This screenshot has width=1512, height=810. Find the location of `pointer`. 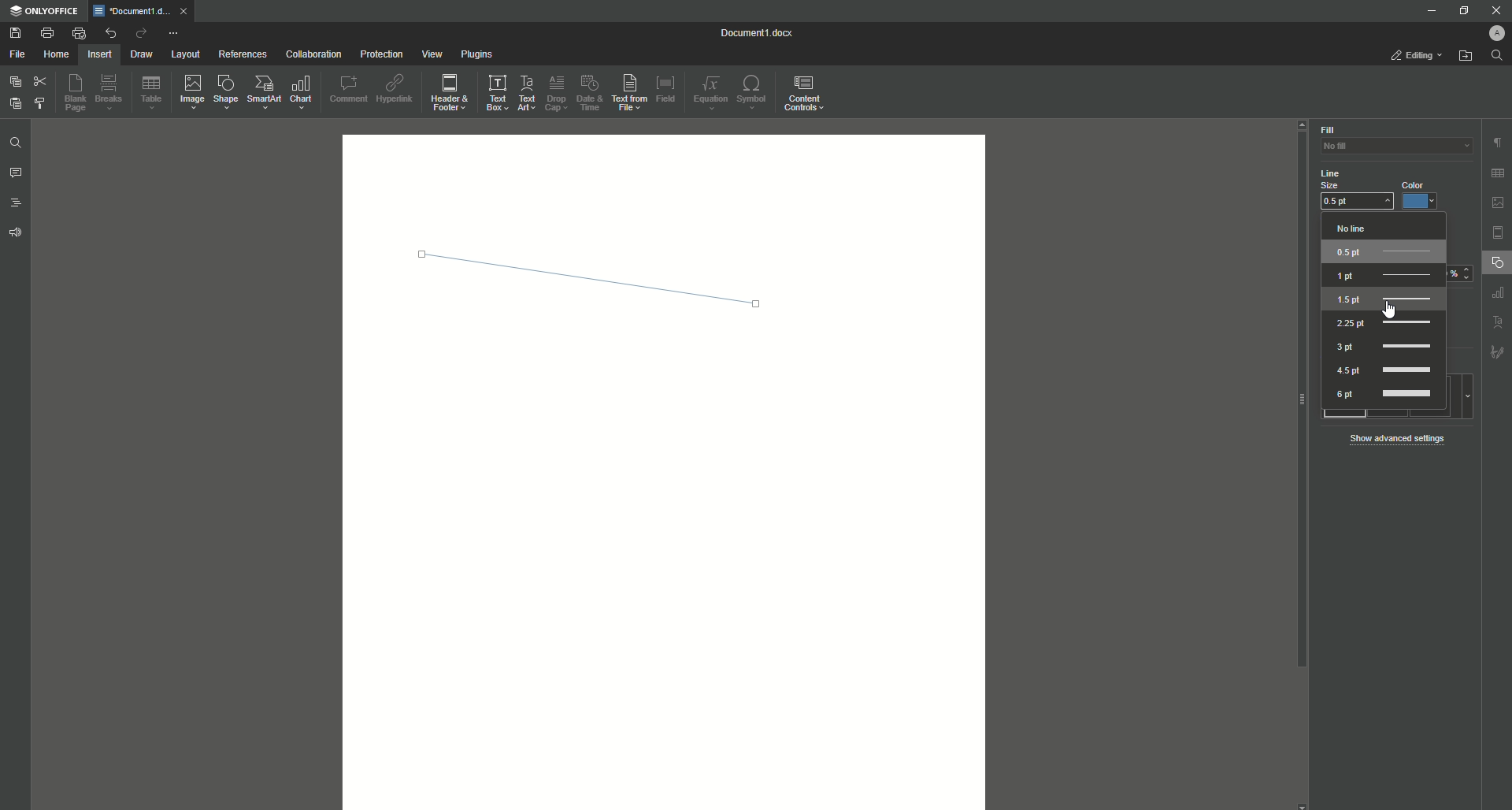

pointer is located at coordinates (1391, 316).